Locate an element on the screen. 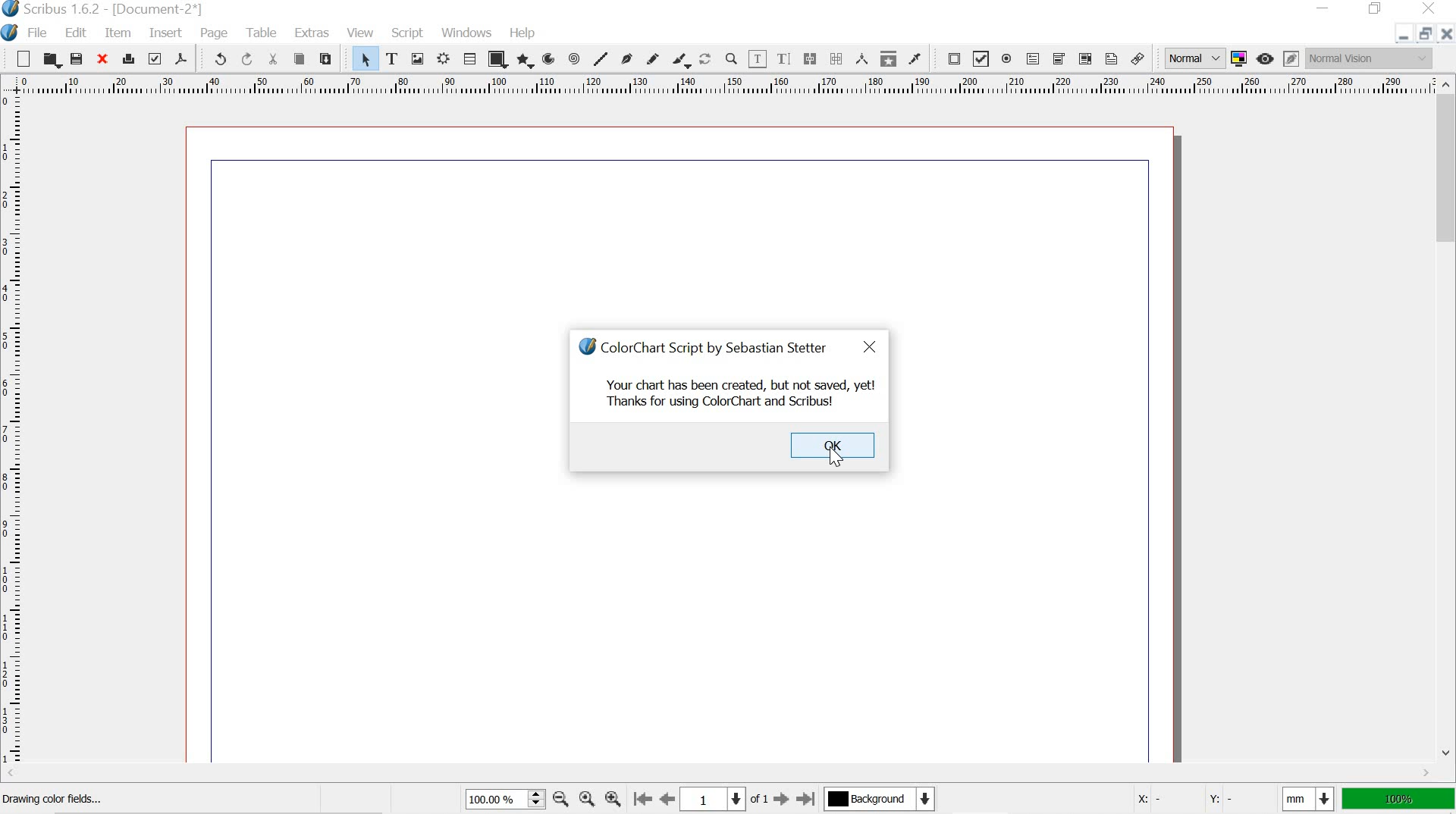 The height and width of the screenshot is (814, 1456). 100% is located at coordinates (502, 798).